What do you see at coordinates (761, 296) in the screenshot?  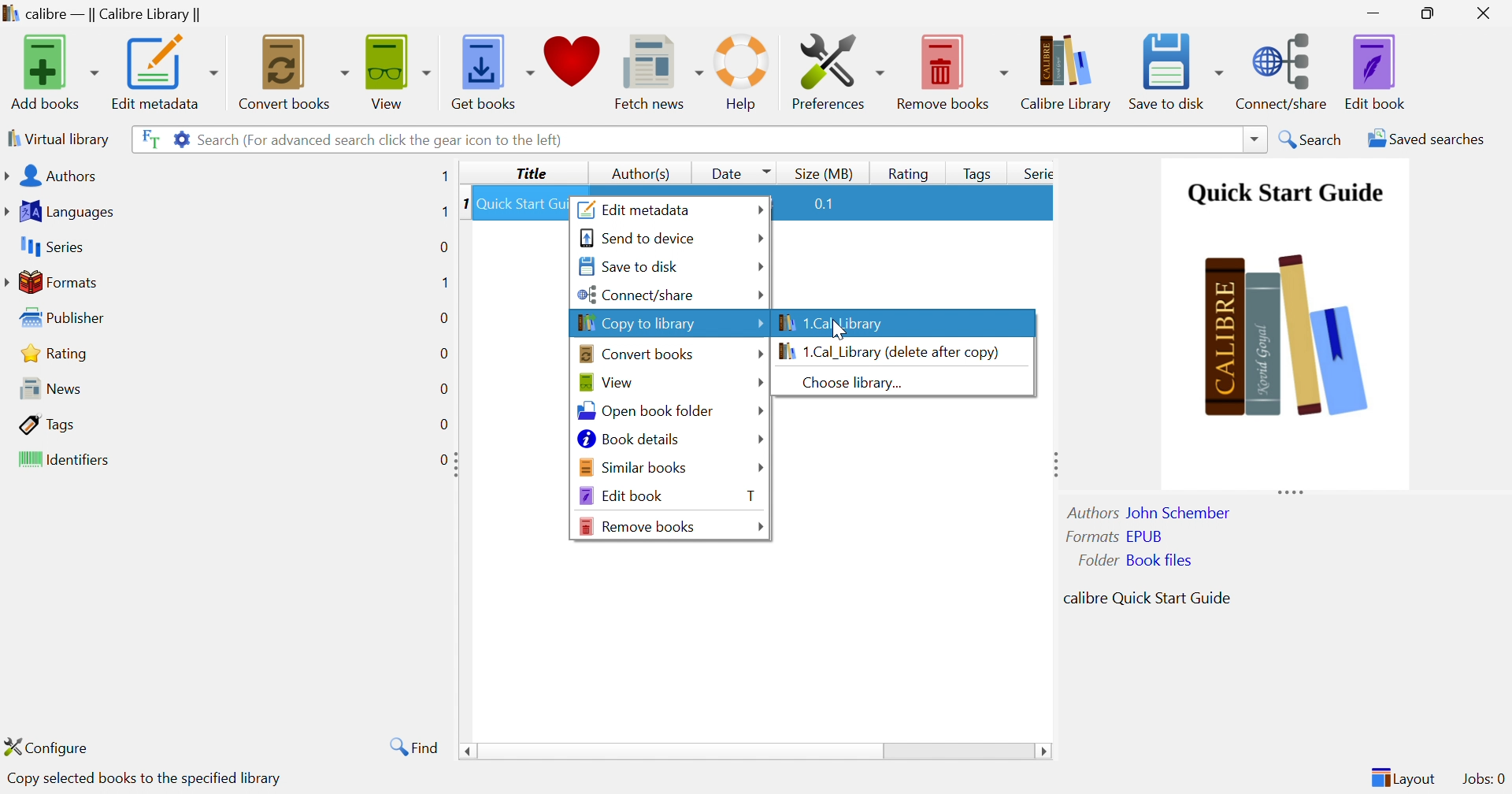 I see `Drop Down` at bounding box center [761, 296].